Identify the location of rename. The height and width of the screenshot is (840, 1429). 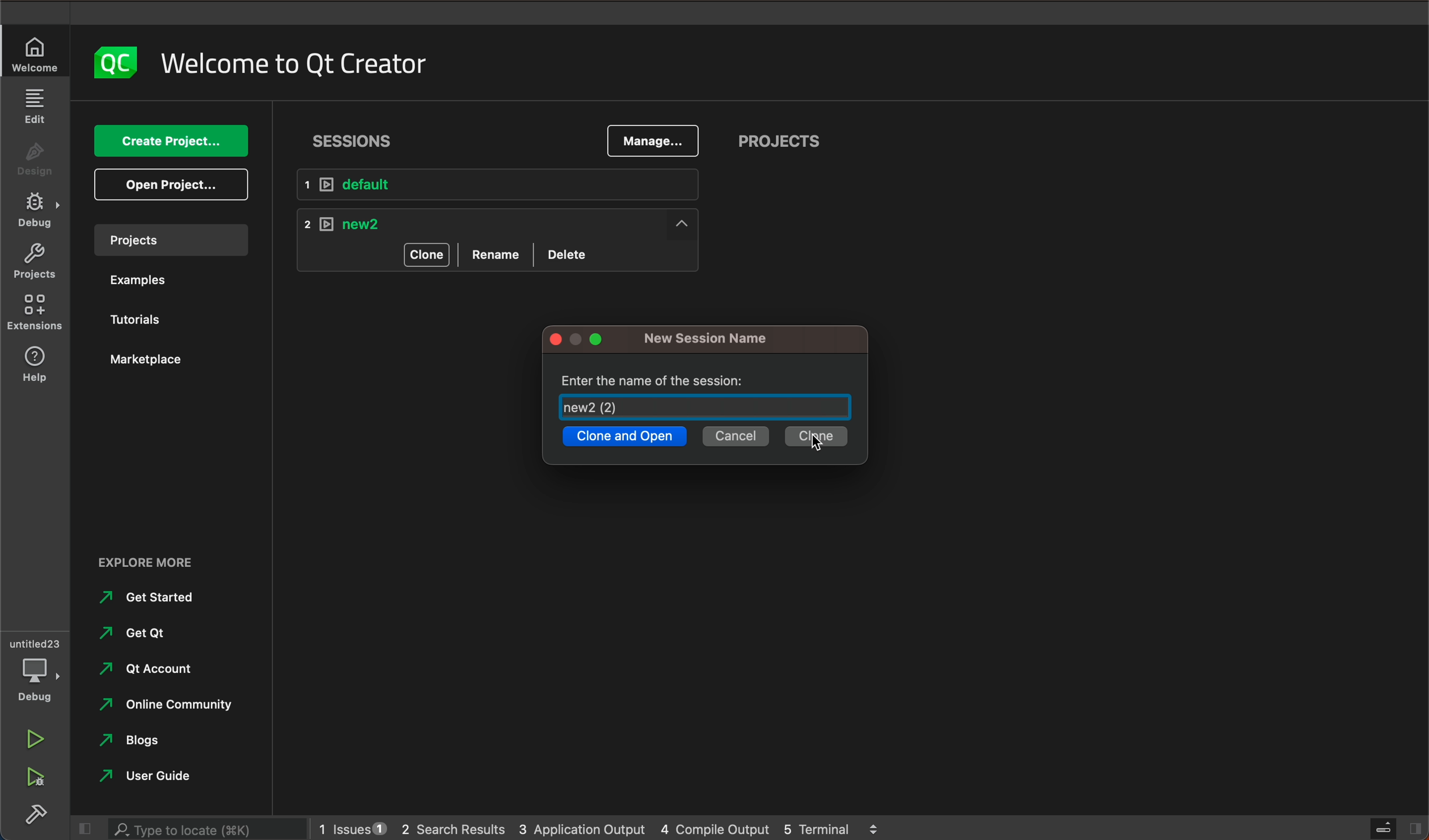
(497, 253).